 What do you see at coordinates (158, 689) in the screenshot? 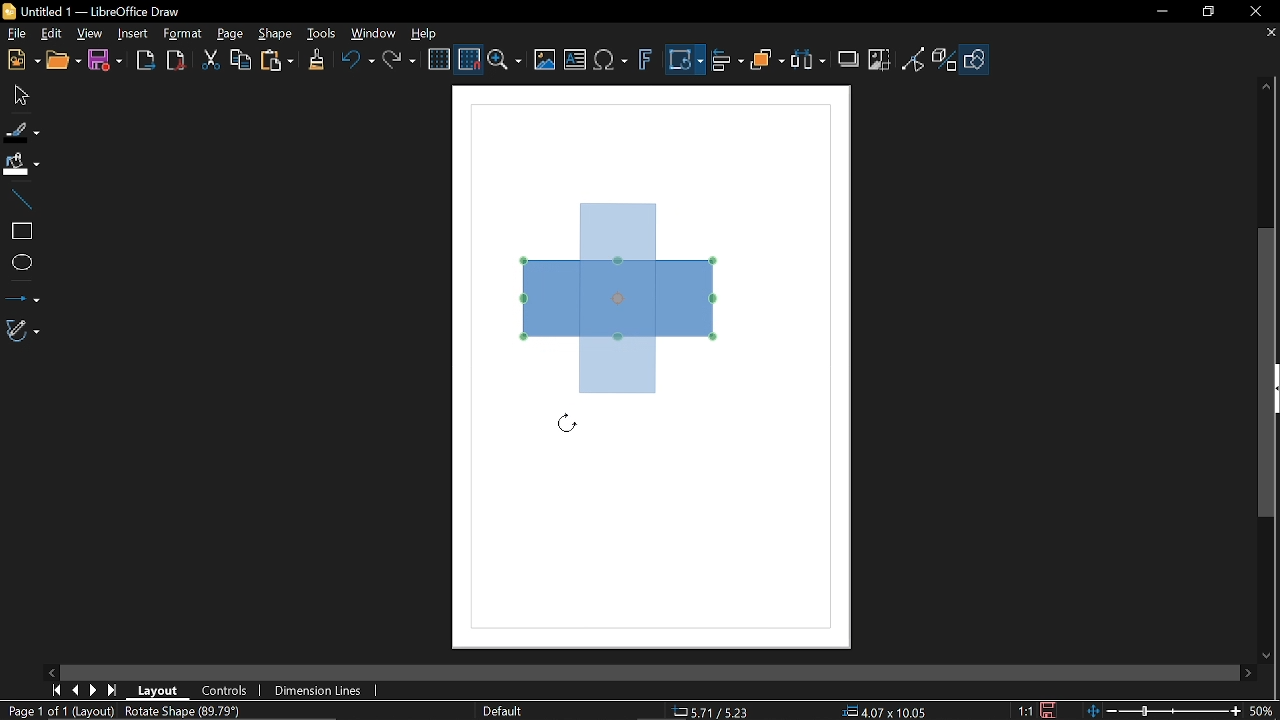
I see `Layout` at bounding box center [158, 689].